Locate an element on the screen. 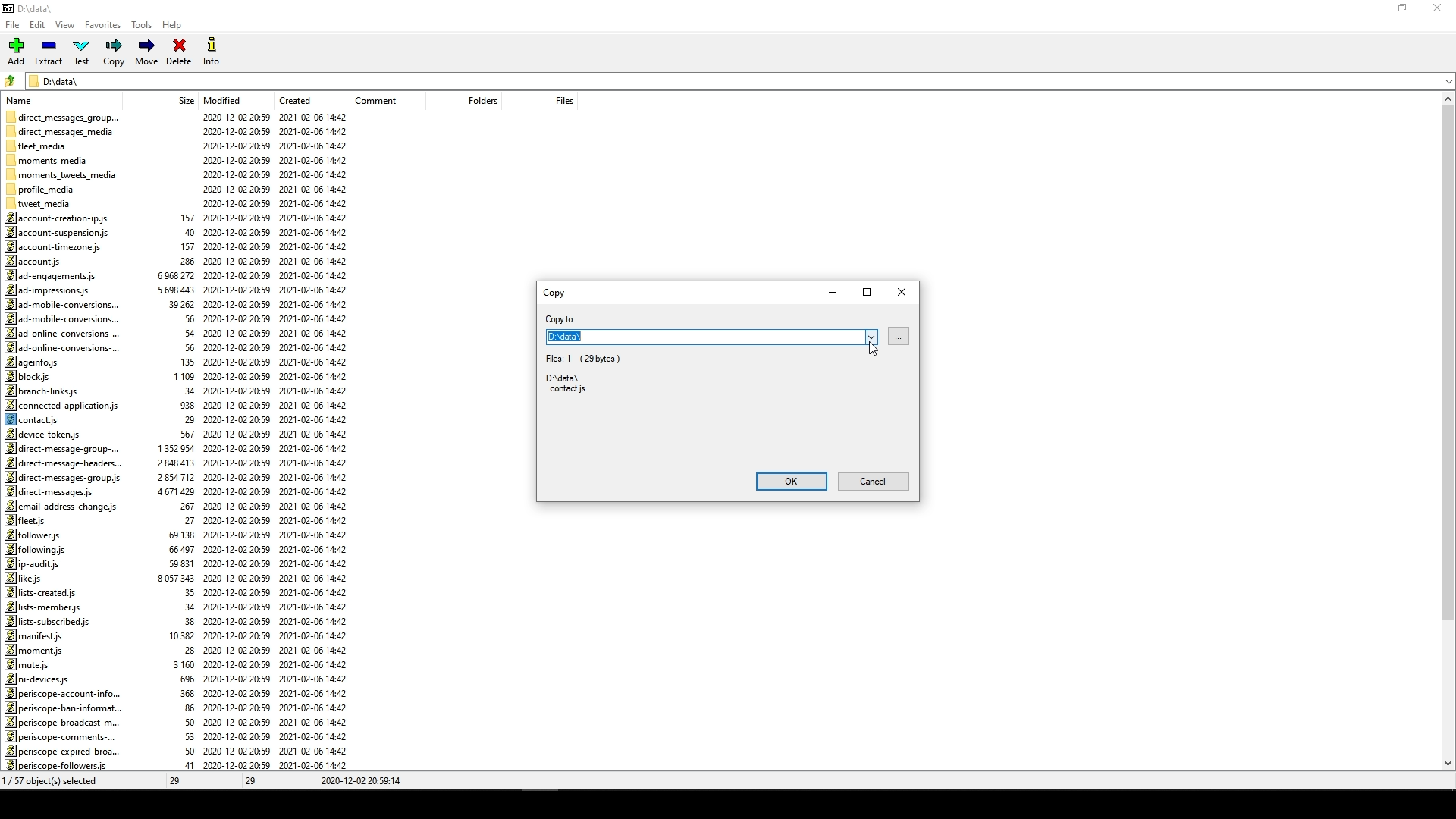 The height and width of the screenshot is (819, 1456). ad-mobile-conversions is located at coordinates (61, 305).